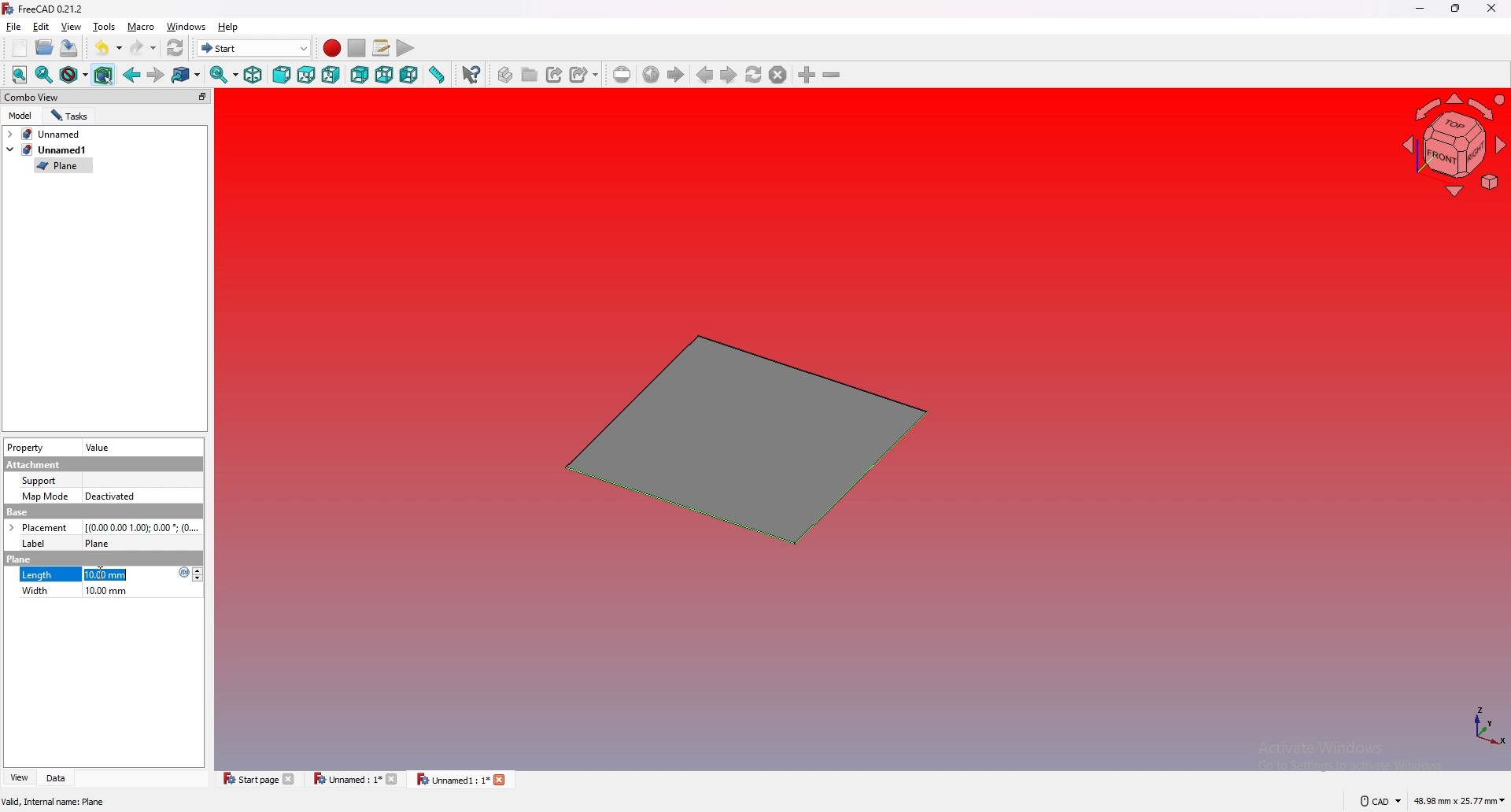 This screenshot has height=812, width=1511. I want to click on create group, so click(531, 74).